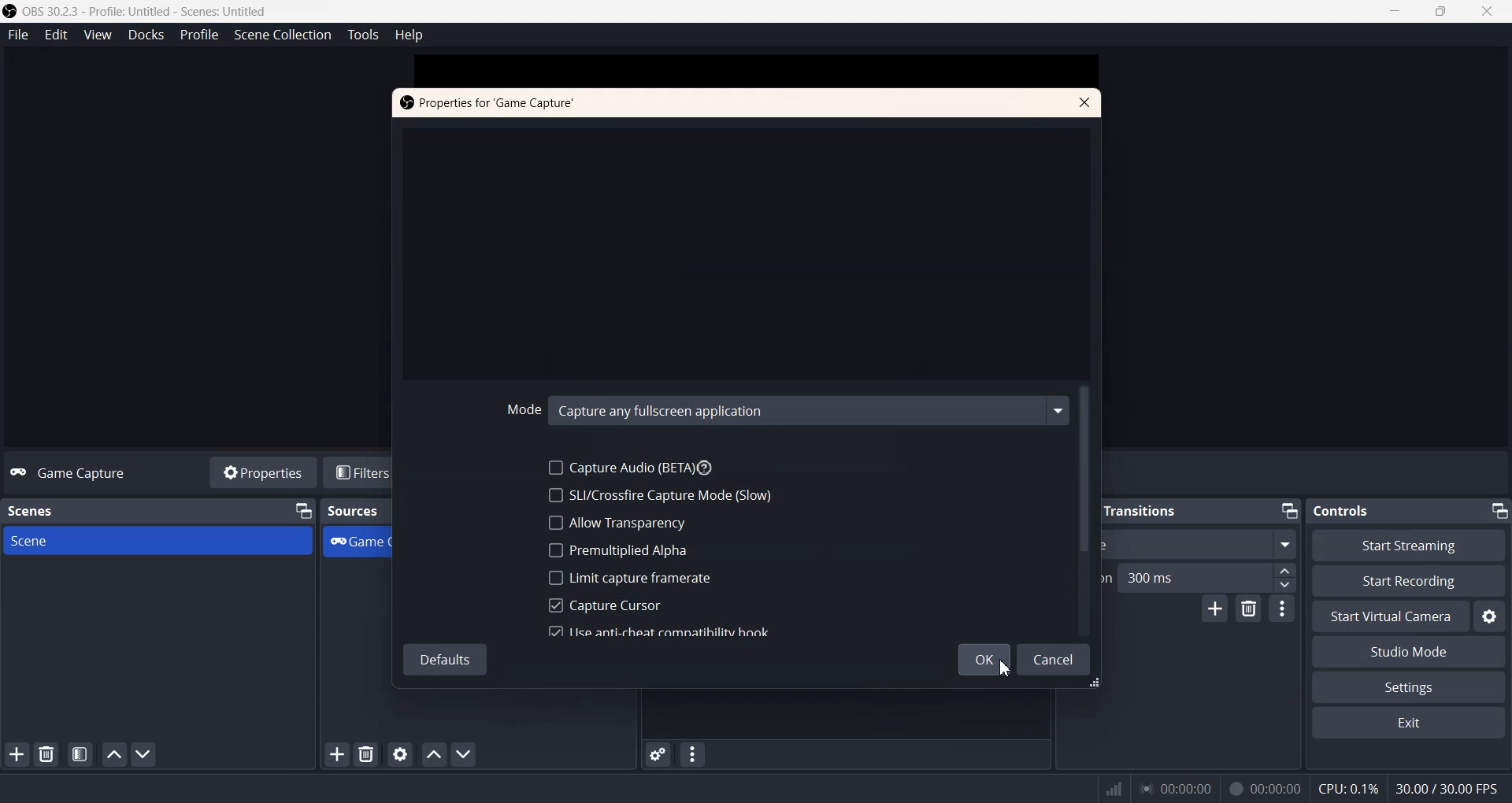 The width and height of the screenshot is (1512, 803). What do you see at coordinates (1409, 686) in the screenshot?
I see `Settings` at bounding box center [1409, 686].